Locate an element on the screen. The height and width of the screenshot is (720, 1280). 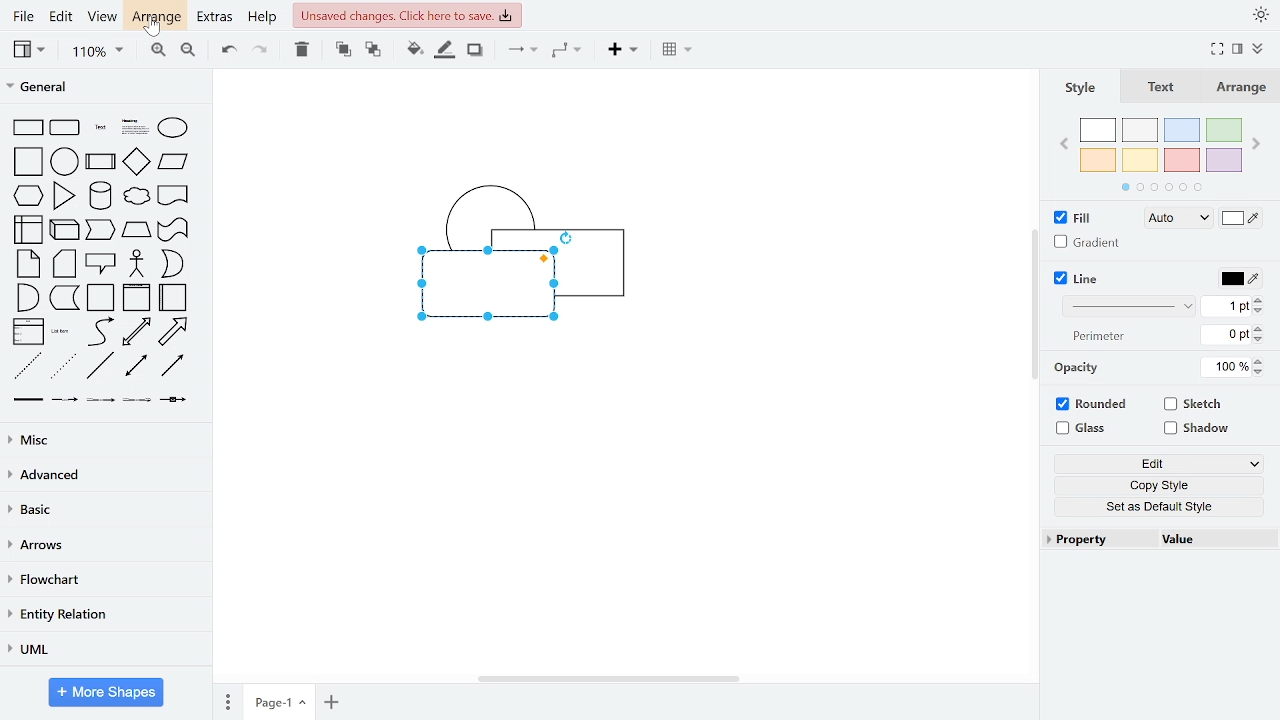
arrange is located at coordinates (159, 19).